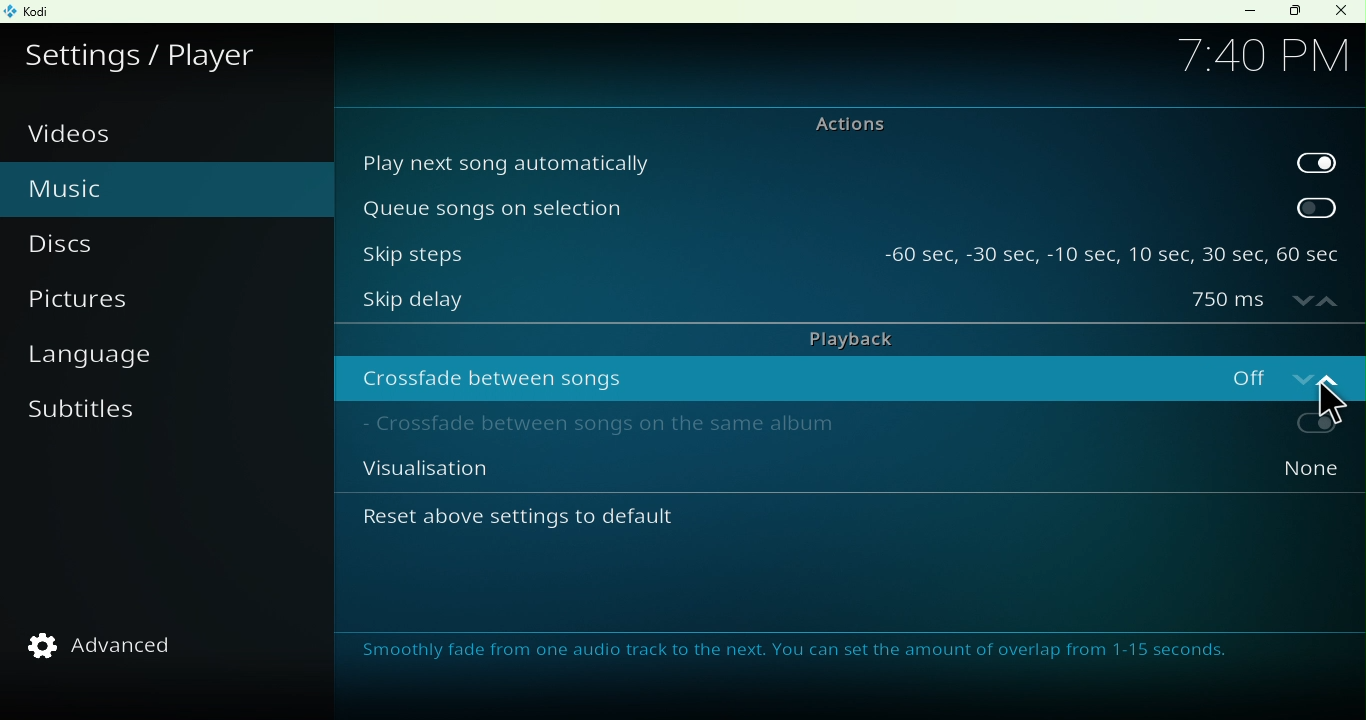 Image resolution: width=1366 pixels, height=720 pixels. Describe the element at coordinates (114, 645) in the screenshot. I see `Advanced` at that location.